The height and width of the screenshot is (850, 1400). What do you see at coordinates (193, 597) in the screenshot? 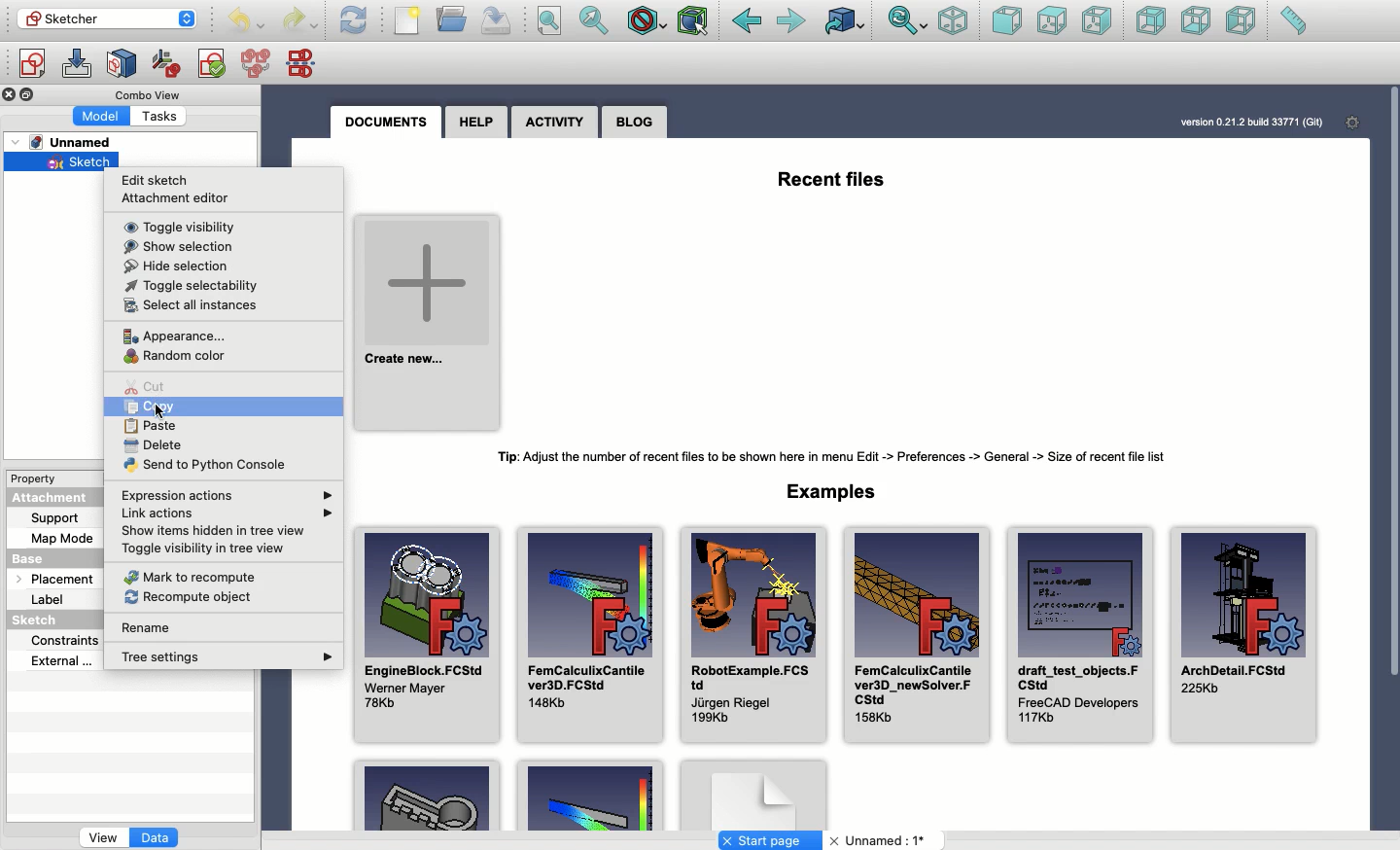
I see `Recompute object` at bounding box center [193, 597].